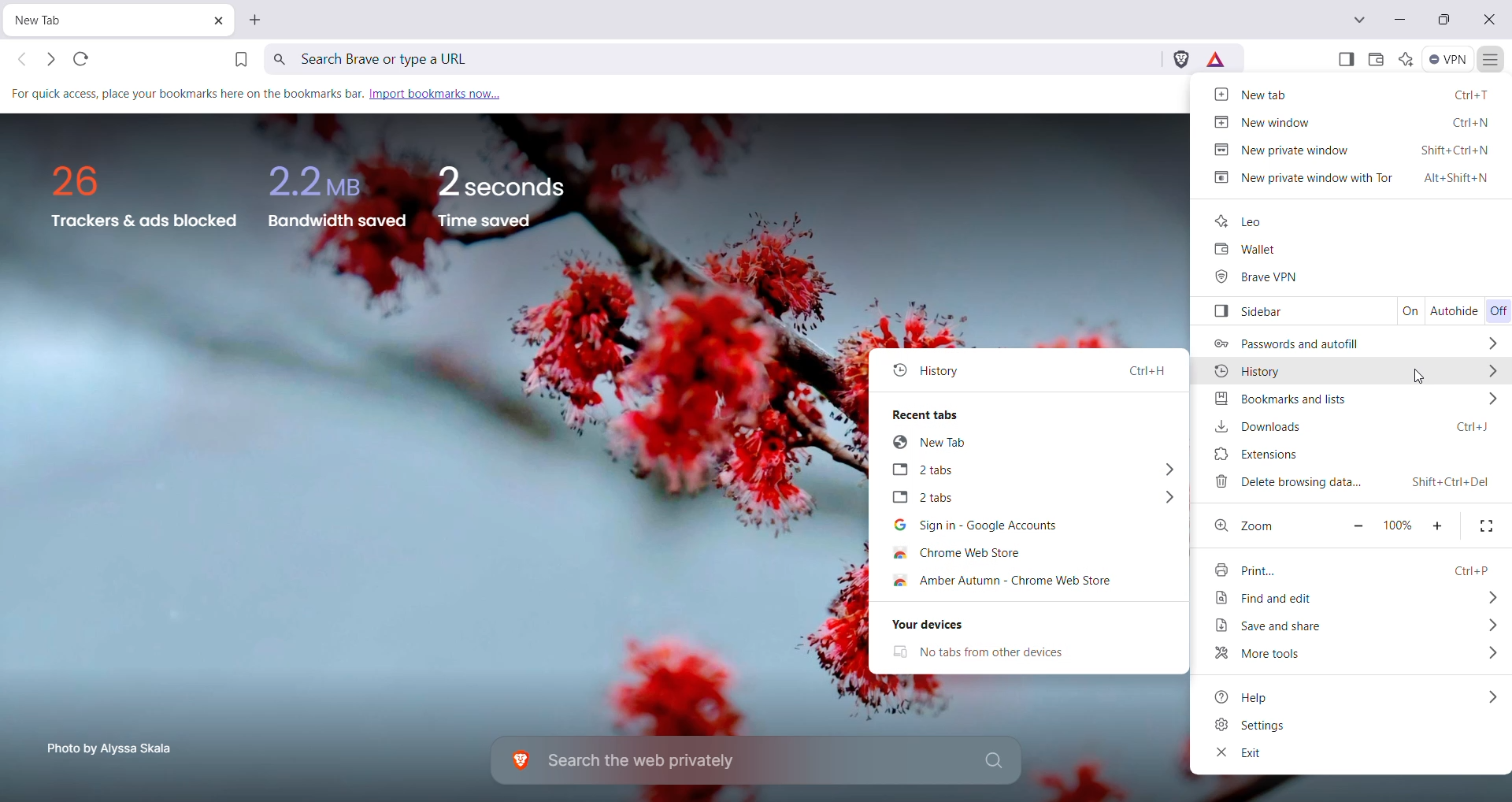 The height and width of the screenshot is (802, 1512). Describe the element at coordinates (1351, 401) in the screenshot. I see `Bookmarks and Lists` at that location.